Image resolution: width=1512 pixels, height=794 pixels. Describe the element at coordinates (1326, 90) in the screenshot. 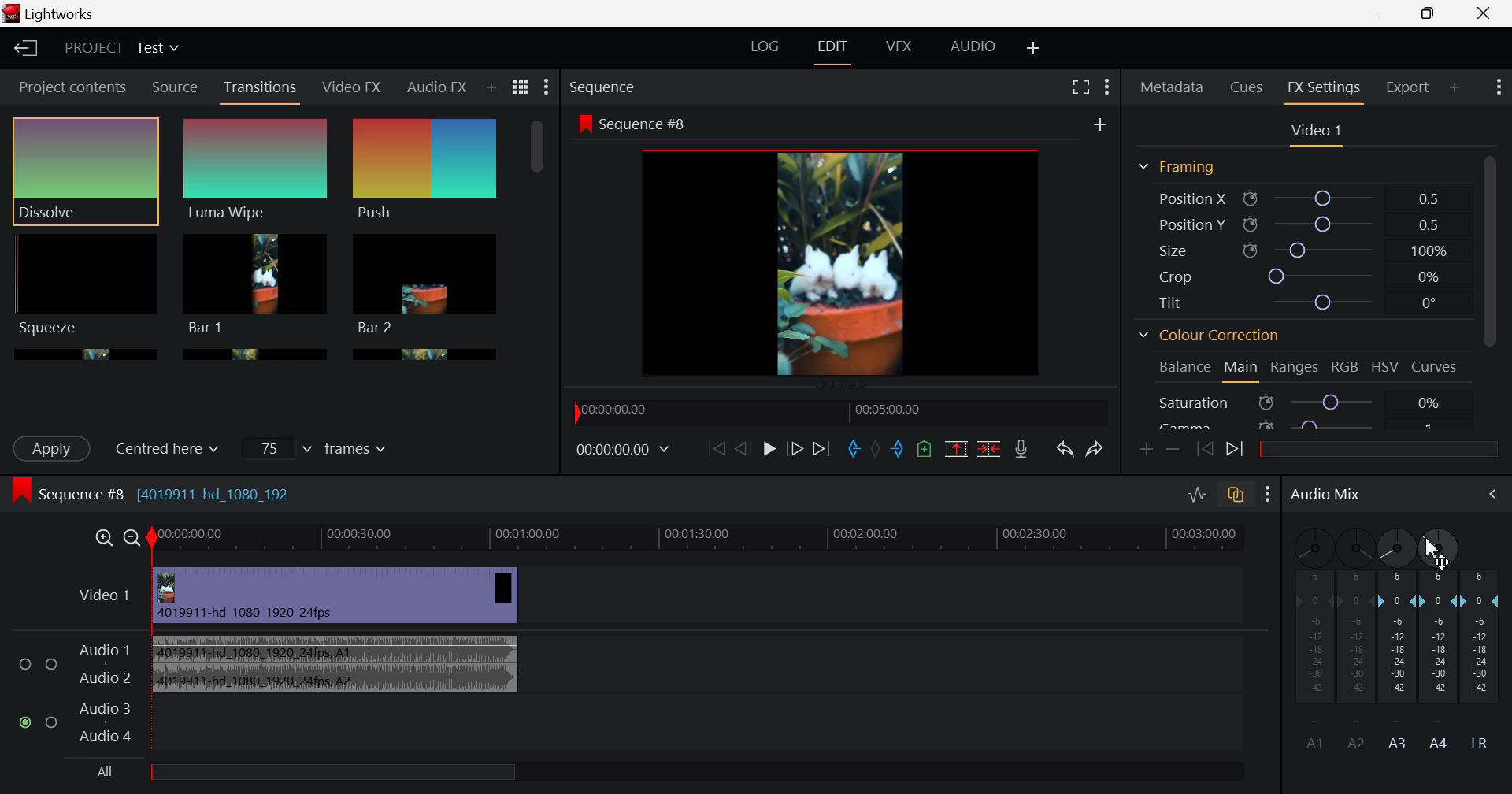

I see `FX Settings Open` at that location.